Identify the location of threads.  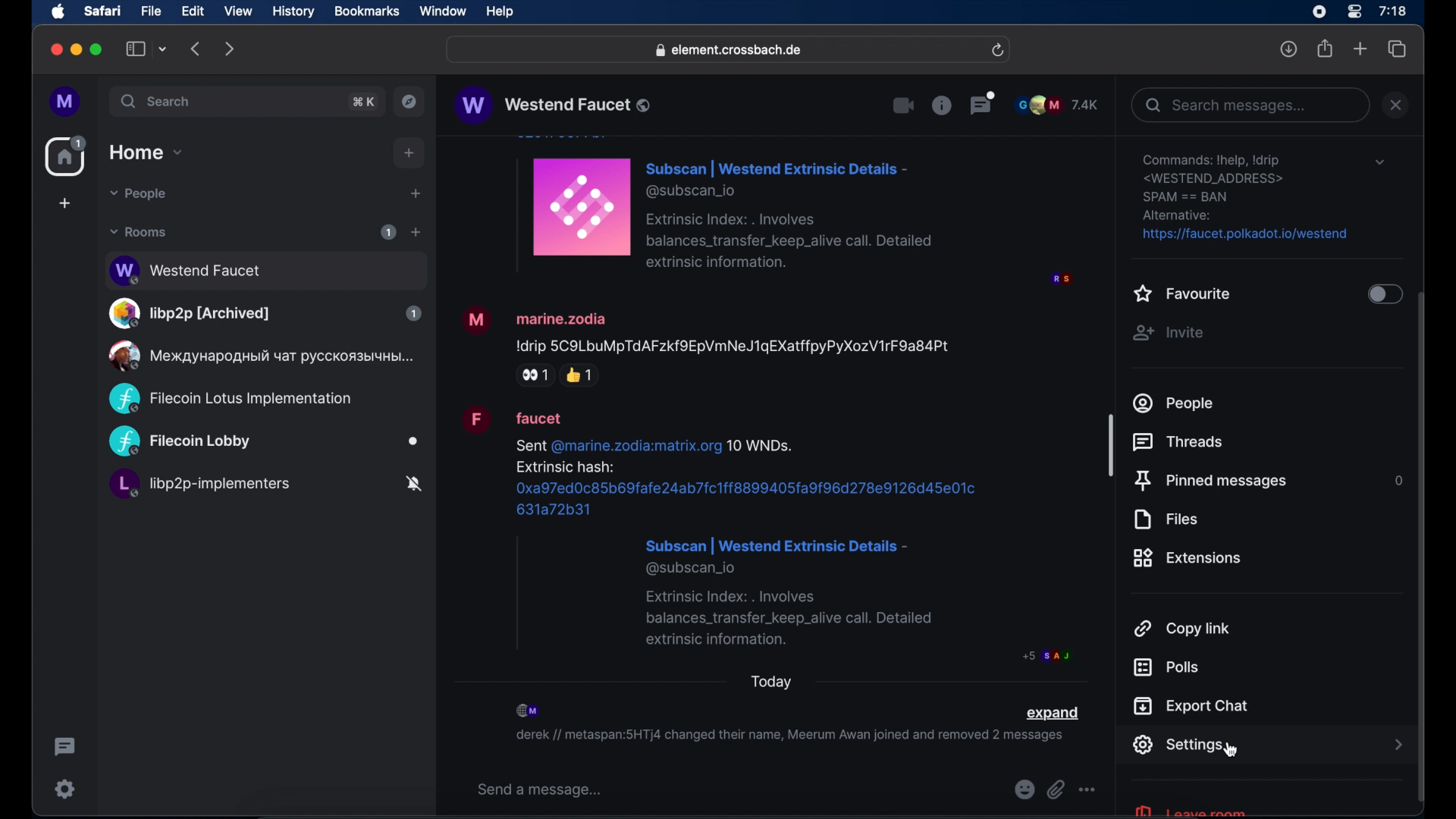
(1181, 442).